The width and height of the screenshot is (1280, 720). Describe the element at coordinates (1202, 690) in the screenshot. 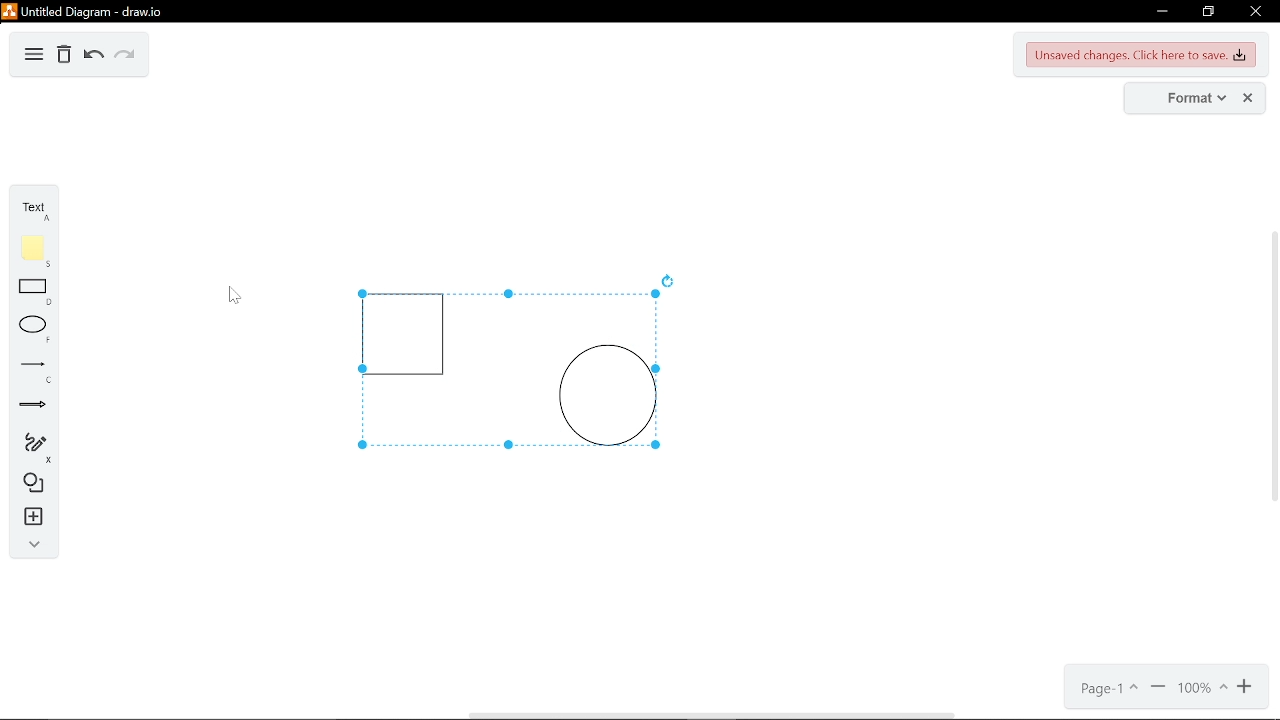

I see `current zoom` at that location.